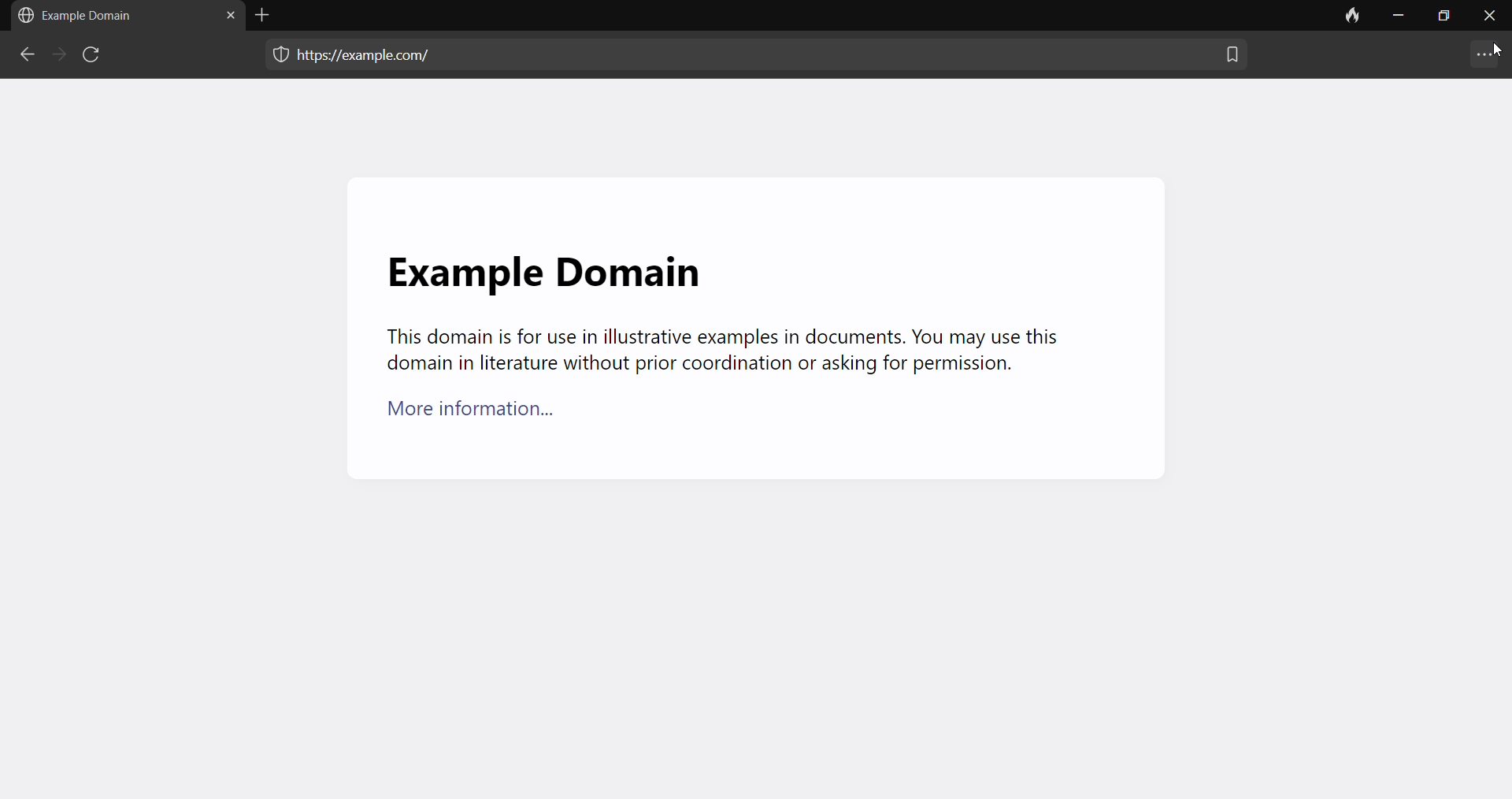 This screenshot has height=799, width=1512. What do you see at coordinates (25, 57) in the screenshot?
I see `backward` at bounding box center [25, 57].